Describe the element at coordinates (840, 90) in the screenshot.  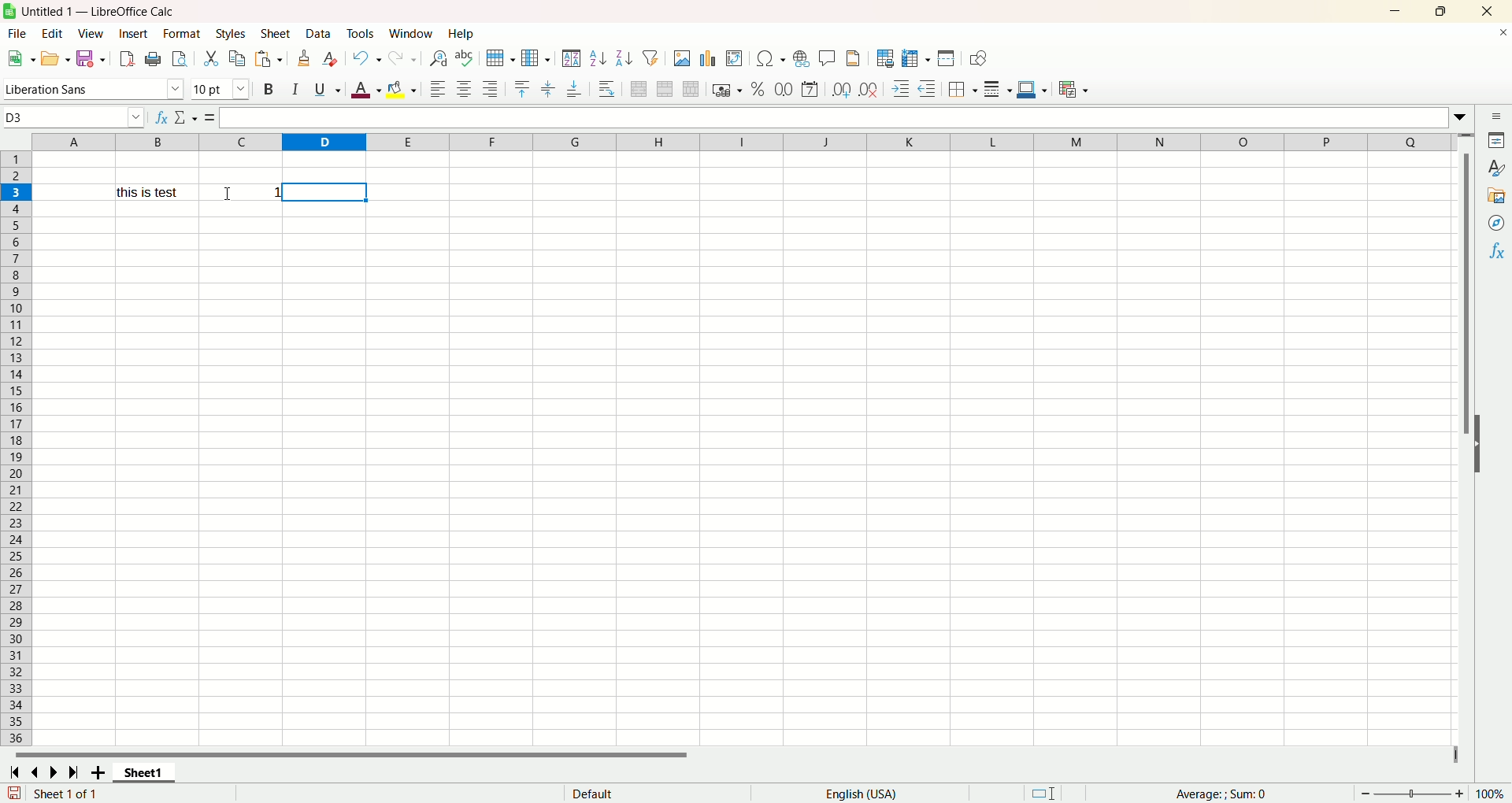
I see `add decimal places` at that location.